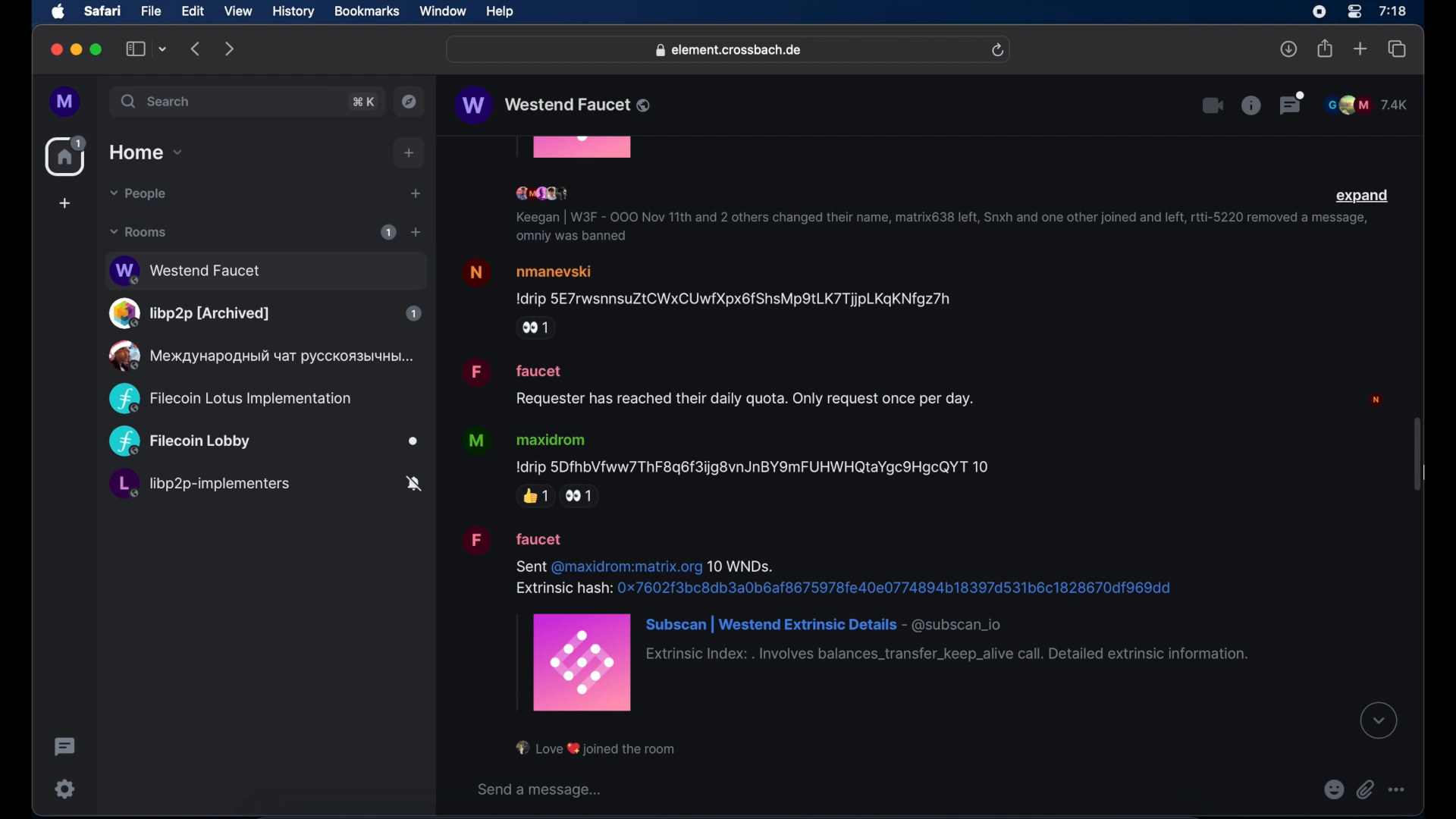 The height and width of the screenshot is (819, 1456). Describe the element at coordinates (409, 153) in the screenshot. I see `add` at that location.